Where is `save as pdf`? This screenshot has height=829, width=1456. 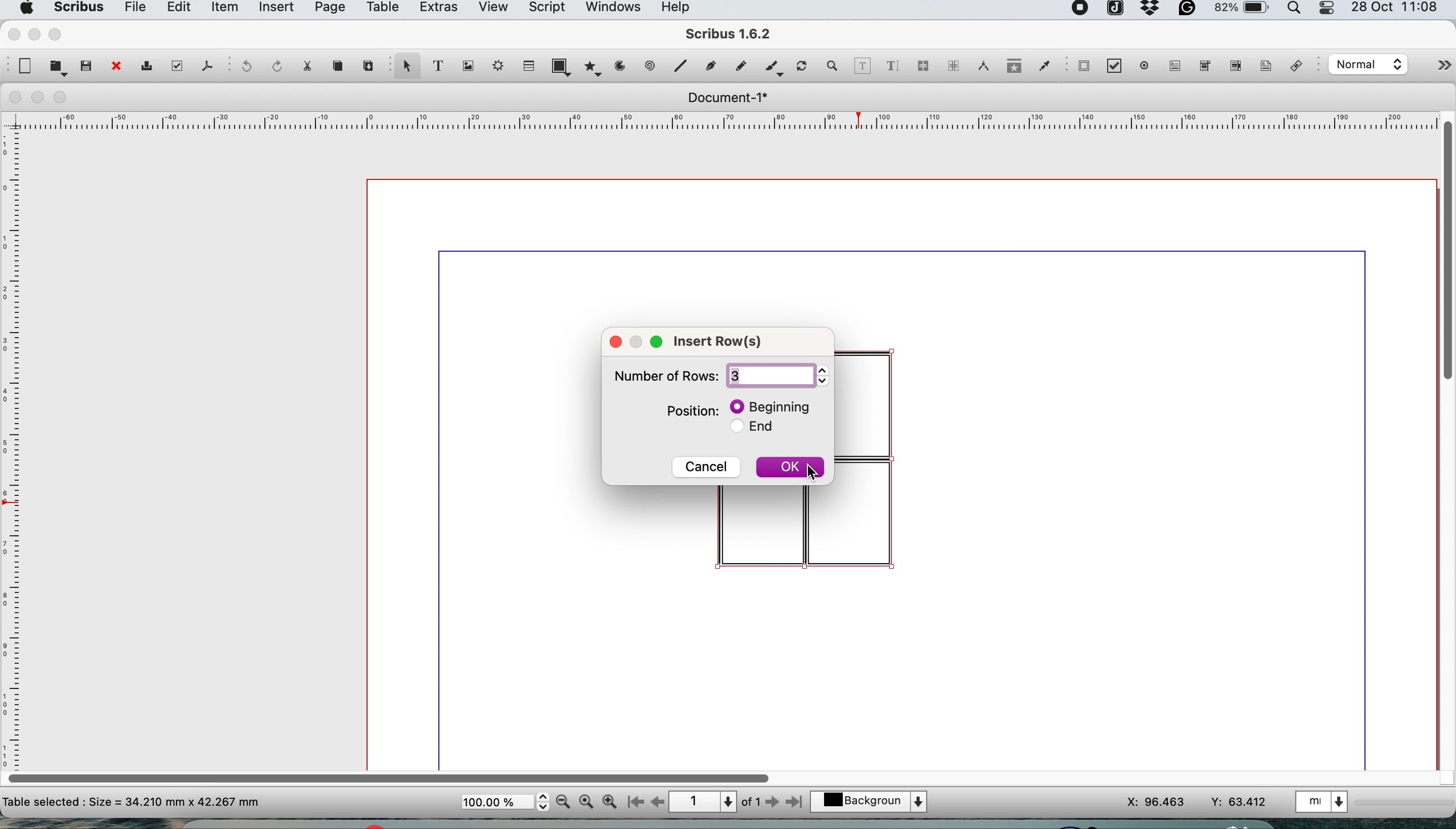
save as pdf is located at coordinates (206, 65).